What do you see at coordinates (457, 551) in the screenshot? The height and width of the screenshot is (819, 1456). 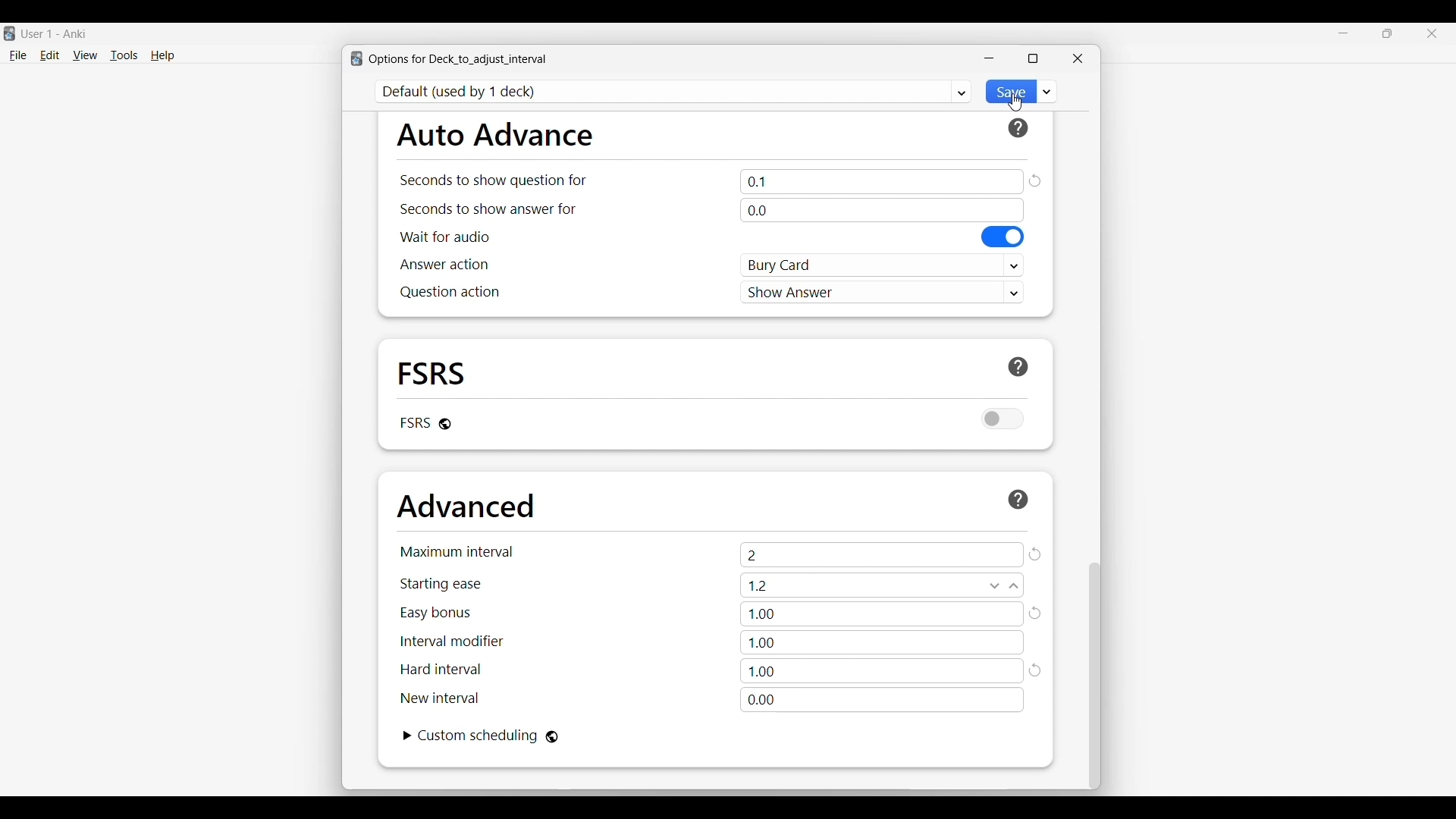 I see `Indicates max. interval` at bounding box center [457, 551].